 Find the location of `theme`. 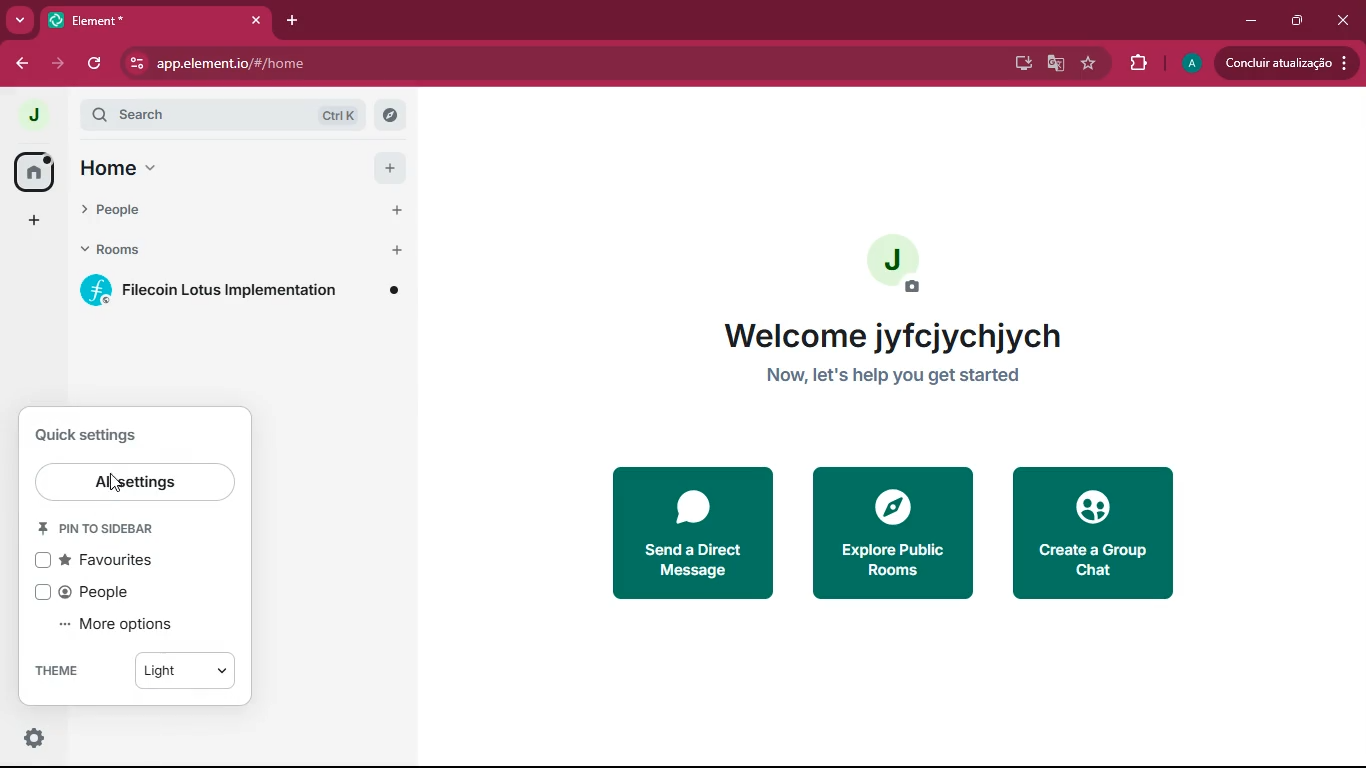

theme is located at coordinates (74, 668).